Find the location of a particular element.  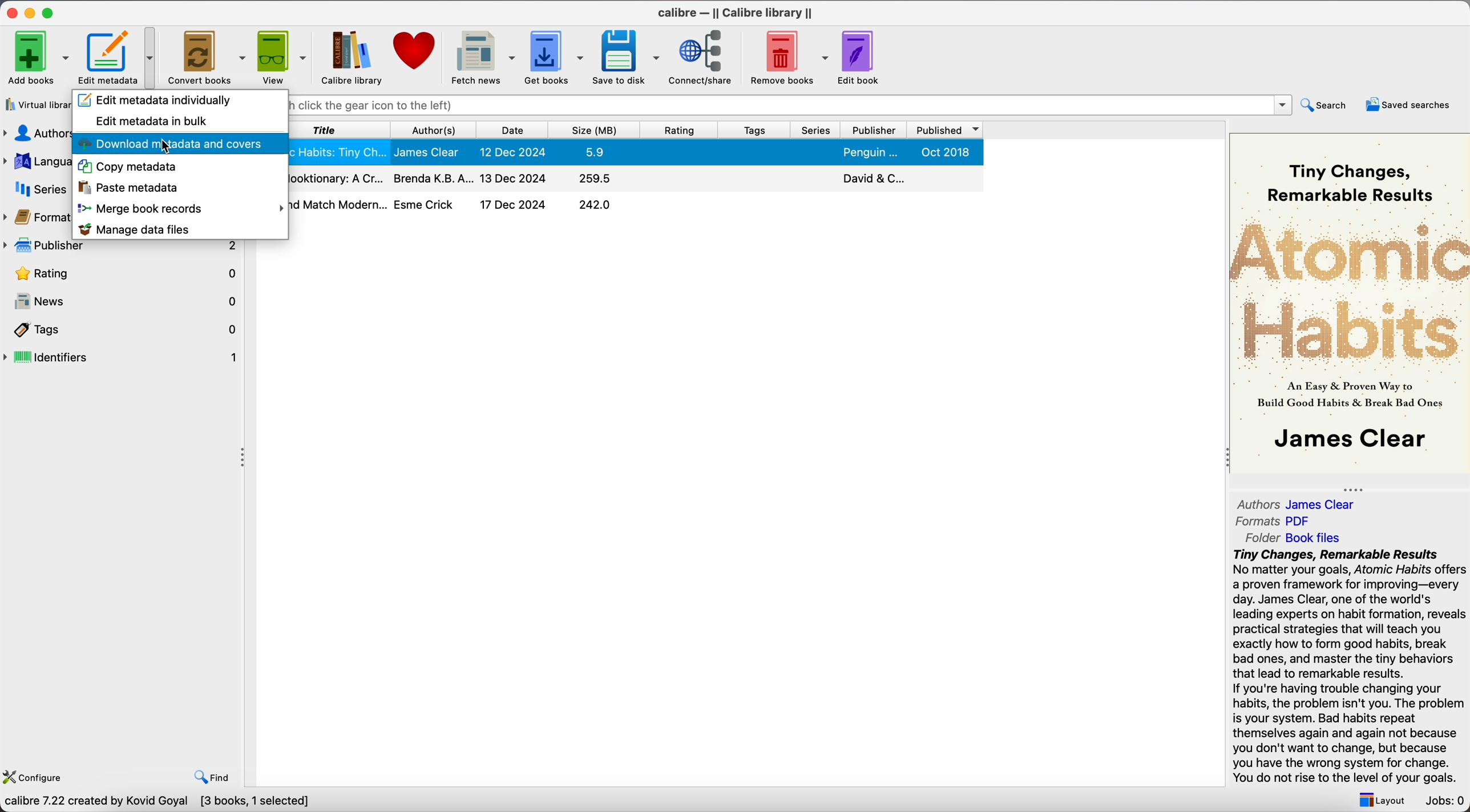

Esme Crick is located at coordinates (426, 204).